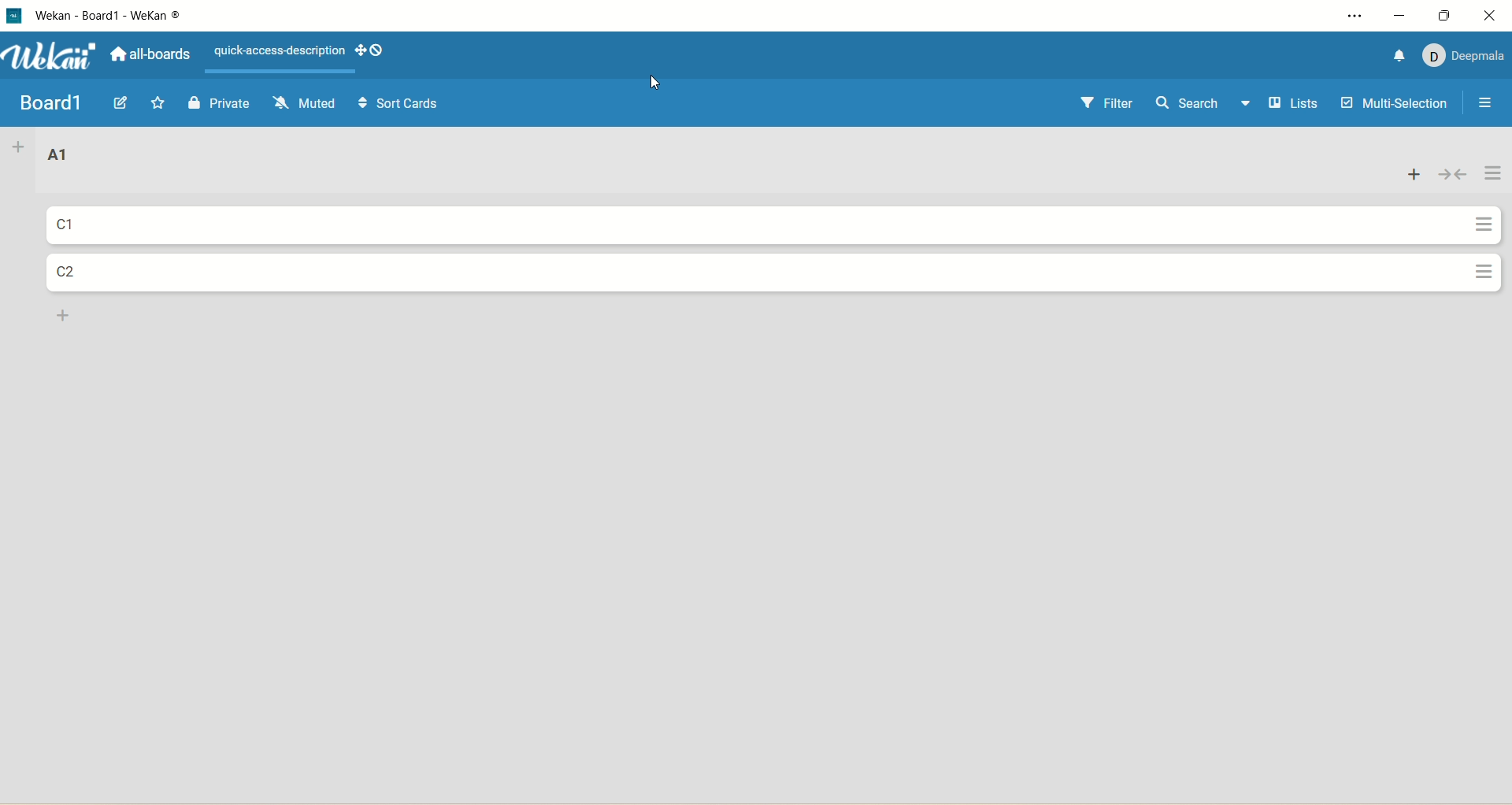 Image resolution: width=1512 pixels, height=805 pixels. What do you see at coordinates (1352, 18) in the screenshot?
I see `settings and more` at bounding box center [1352, 18].